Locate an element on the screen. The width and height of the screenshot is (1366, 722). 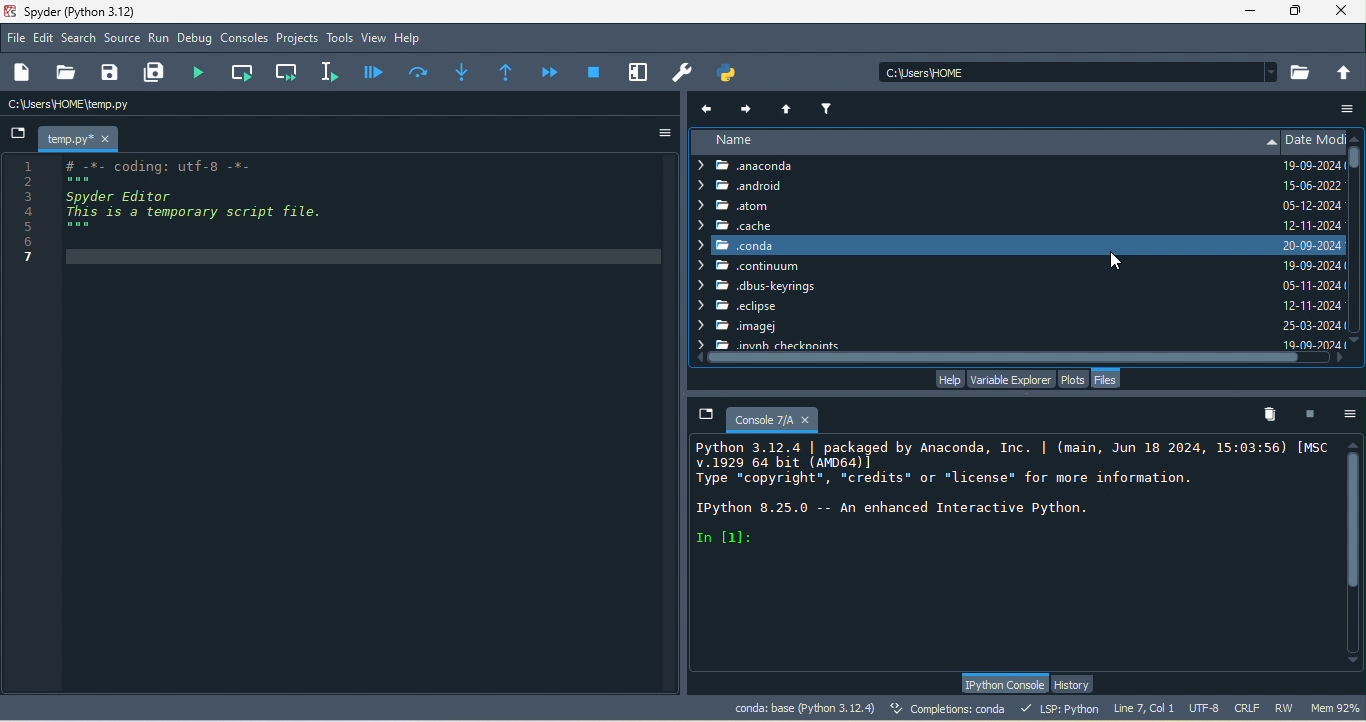
rw is located at coordinates (1286, 708).